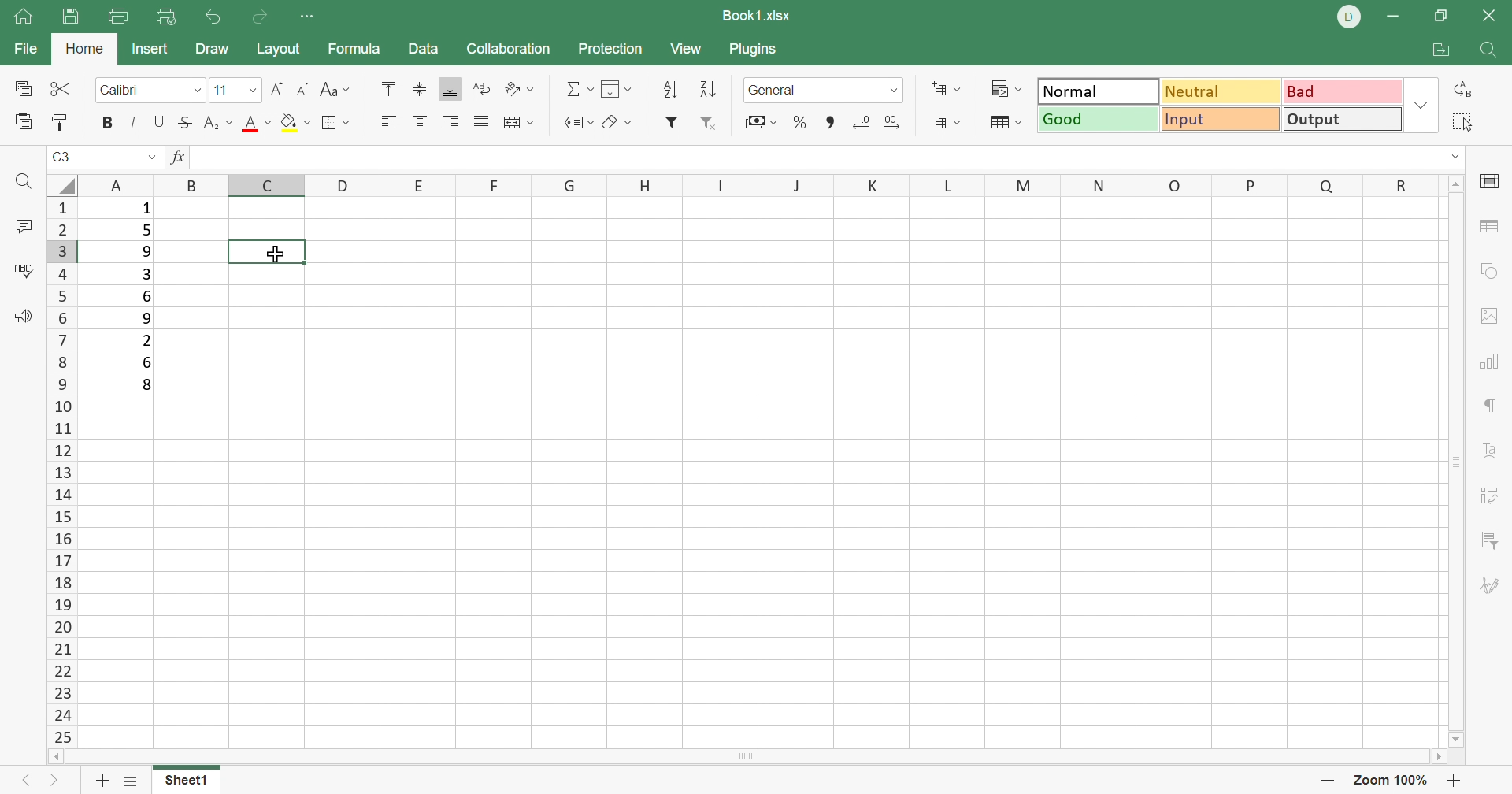 This screenshot has height=794, width=1512. Describe the element at coordinates (451, 123) in the screenshot. I see `Align Right` at that location.